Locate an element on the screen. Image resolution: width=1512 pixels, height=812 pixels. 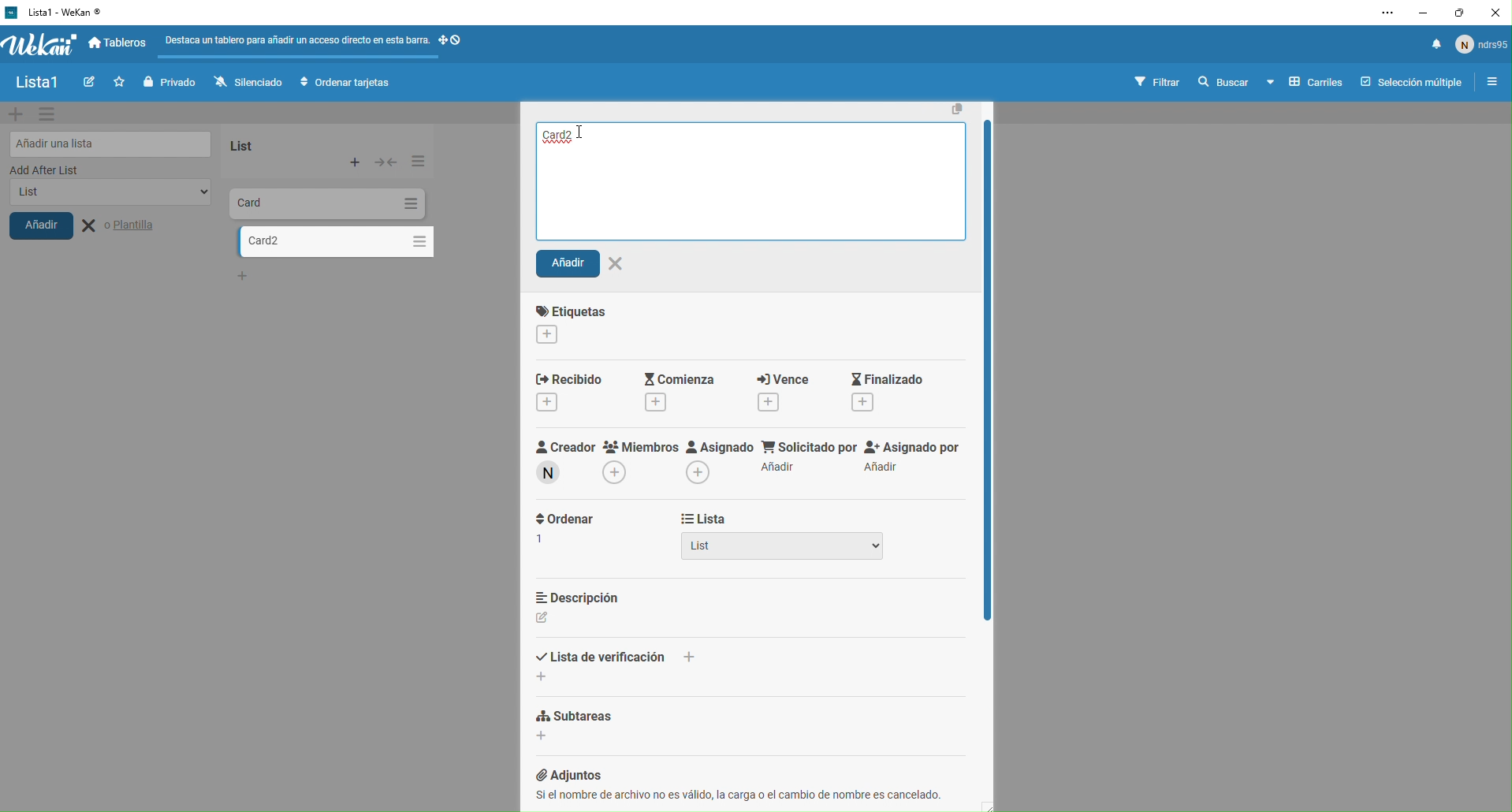
Destaca un tablero para afadir un acceso directo en esta bar is located at coordinates (296, 39).